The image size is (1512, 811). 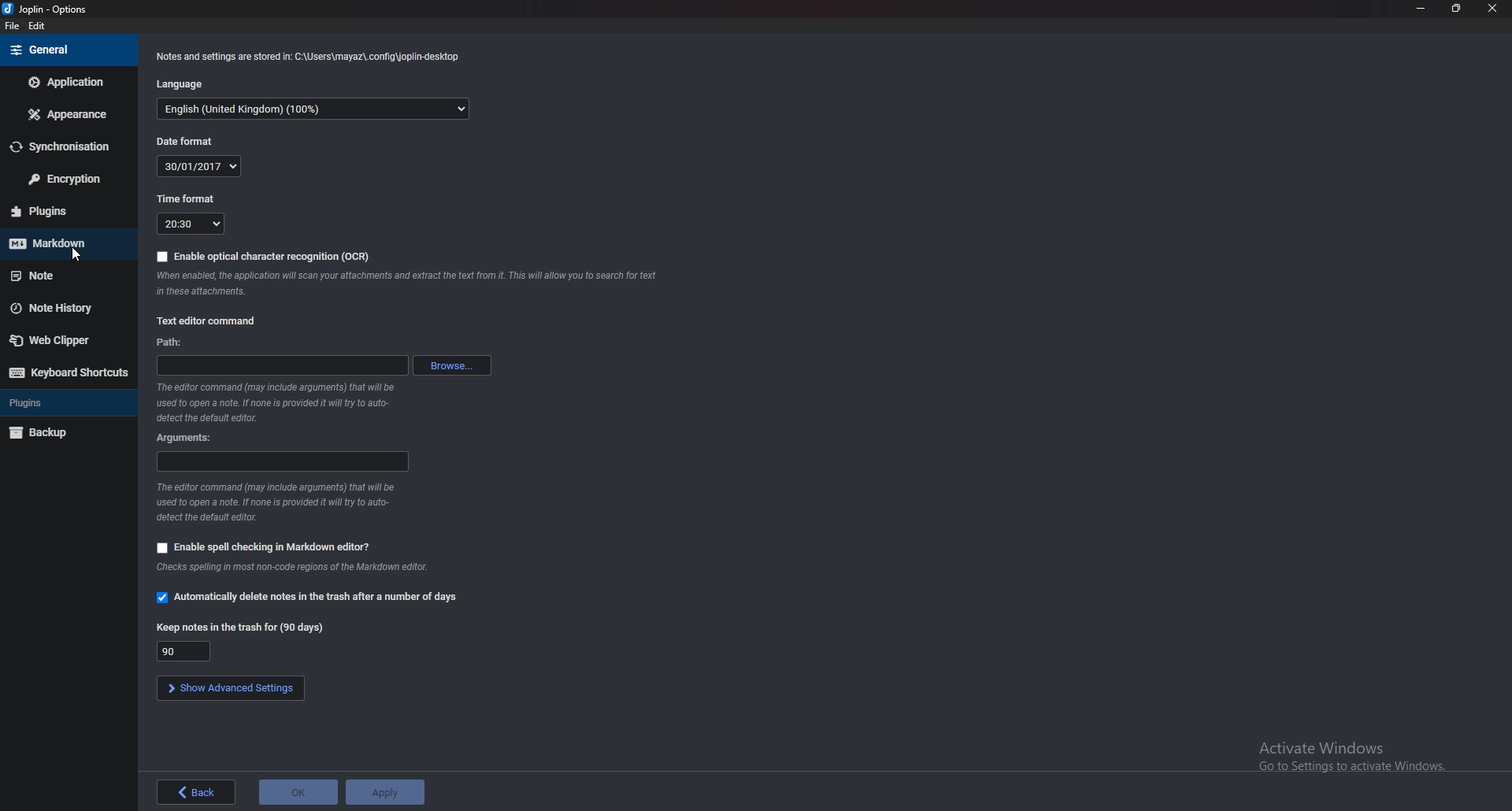 What do you see at coordinates (11, 25) in the screenshot?
I see `file` at bounding box center [11, 25].